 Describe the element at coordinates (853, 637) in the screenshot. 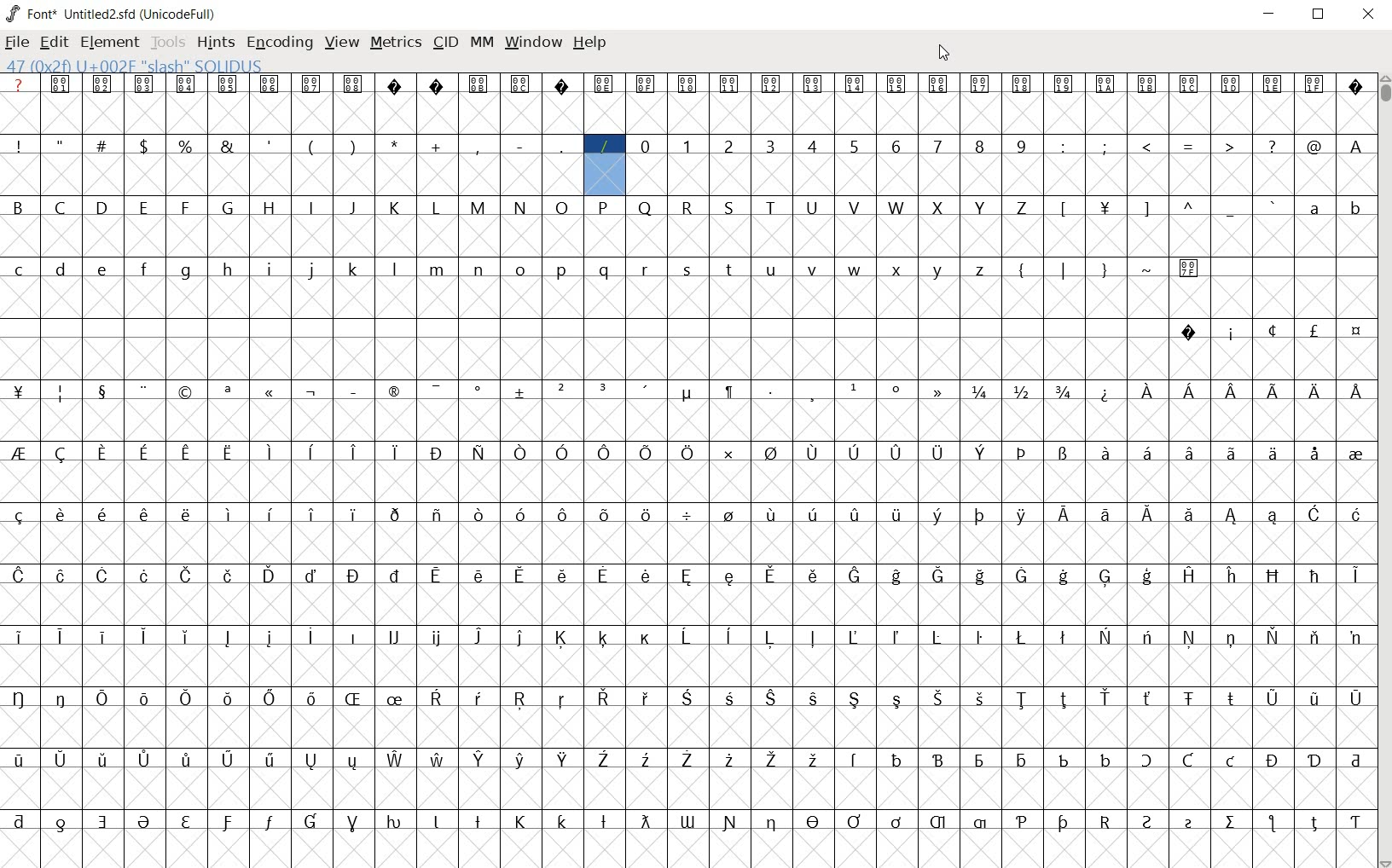

I see `glyph` at that location.